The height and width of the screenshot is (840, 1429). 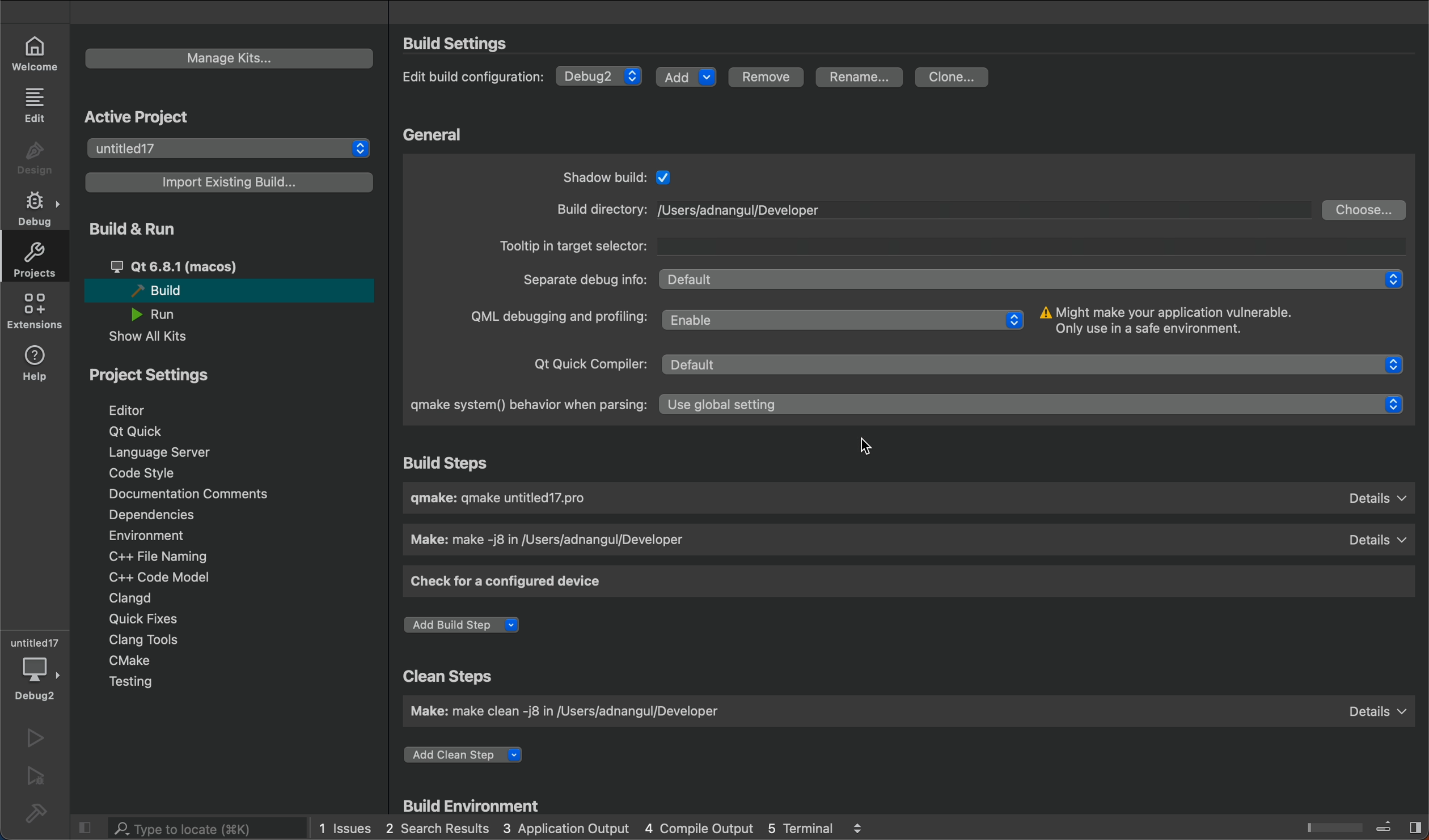 I want to click on qml debugging, so click(x=552, y=319).